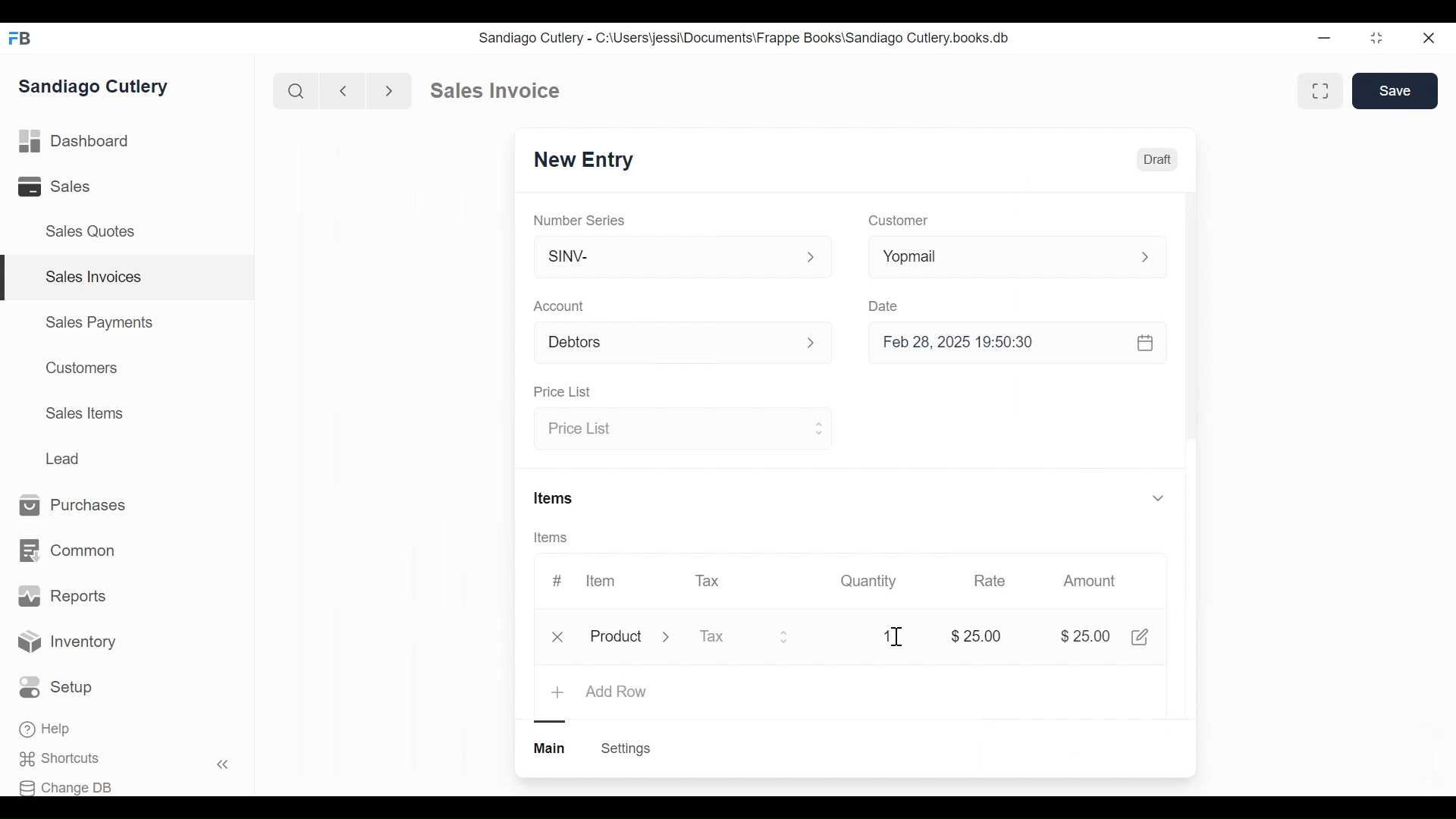 This screenshot has width=1456, height=819. What do you see at coordinates (1156, 159) in the screenshot?
I see `Draft` at bounding box center [1156, 159].